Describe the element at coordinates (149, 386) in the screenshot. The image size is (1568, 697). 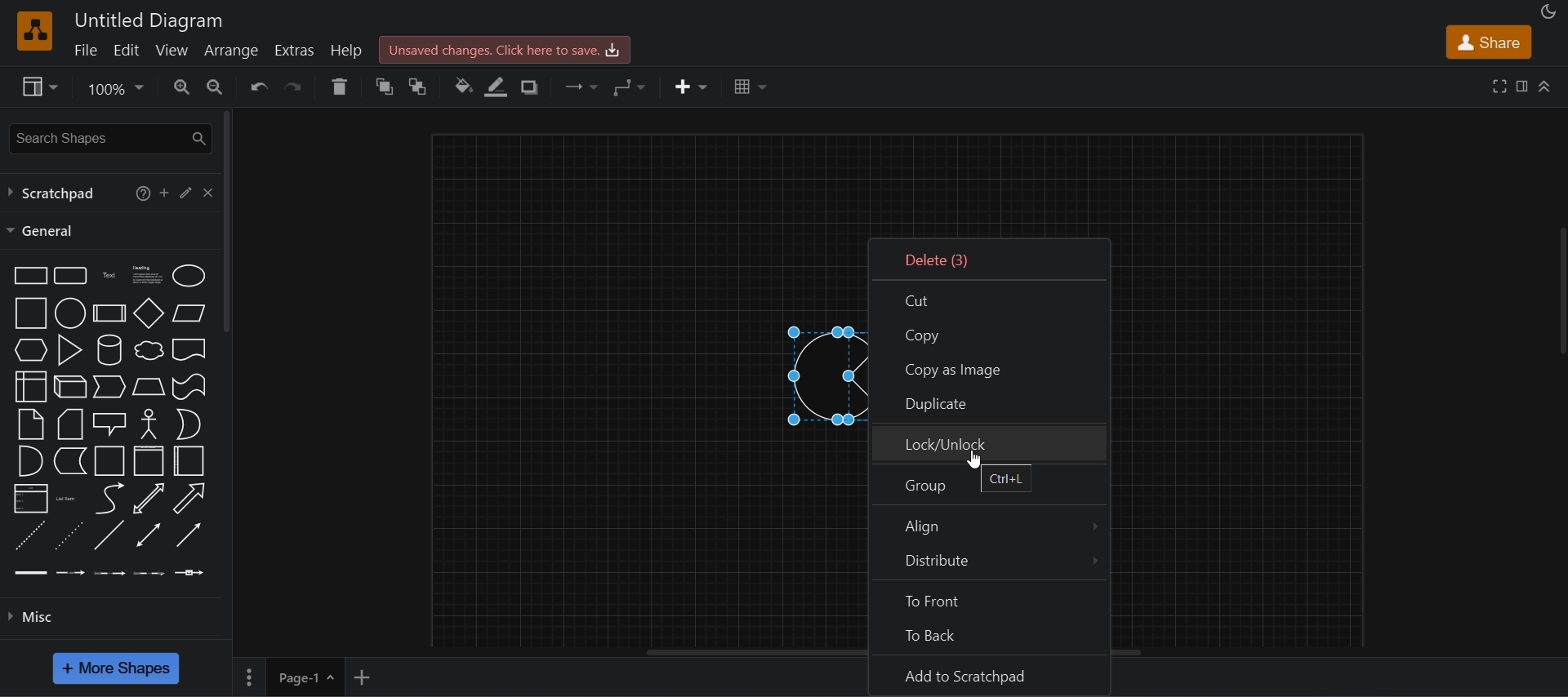
I see `trapezoid` at that location.